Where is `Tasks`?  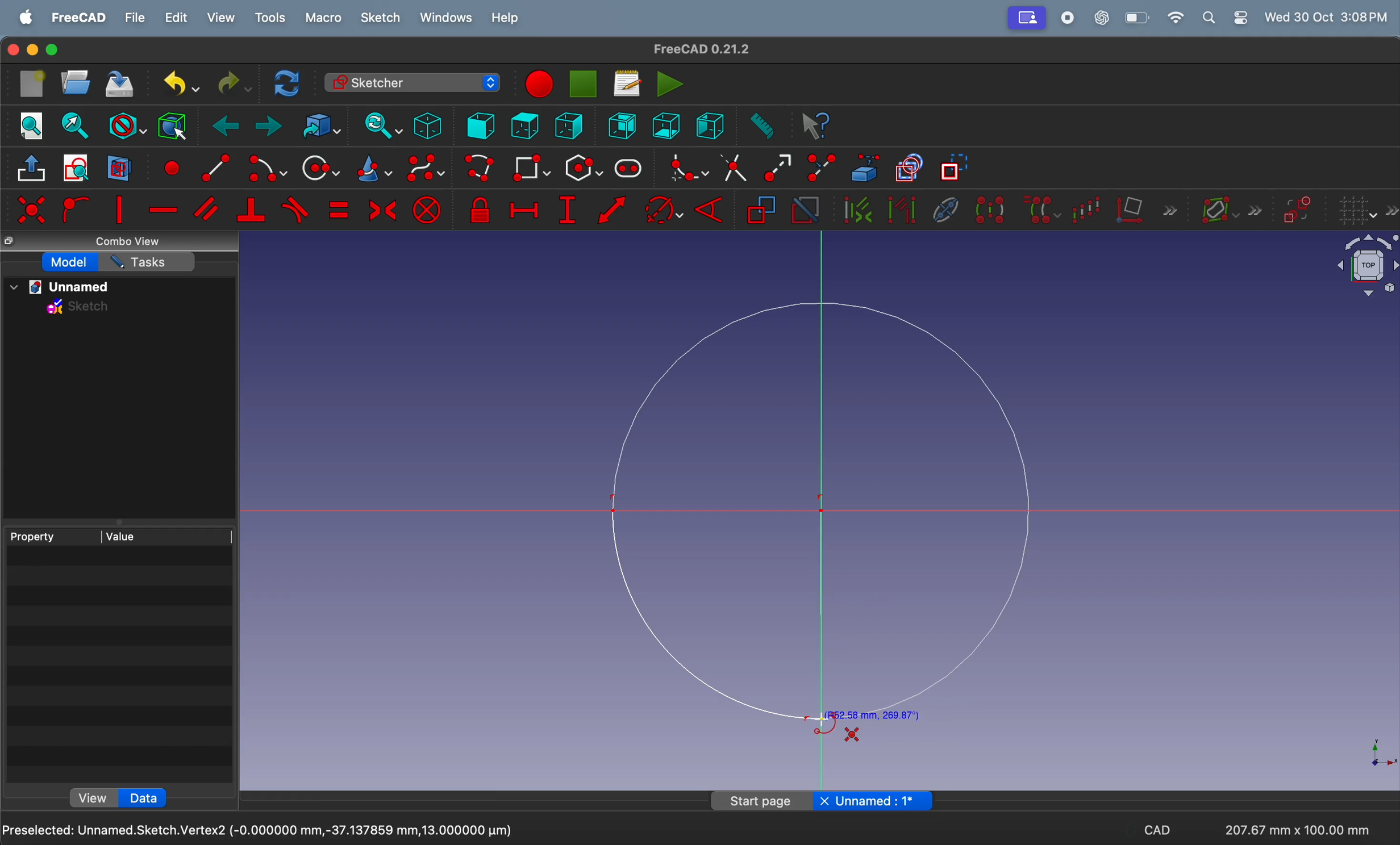 Tasks is located at coordinates (147, 262).